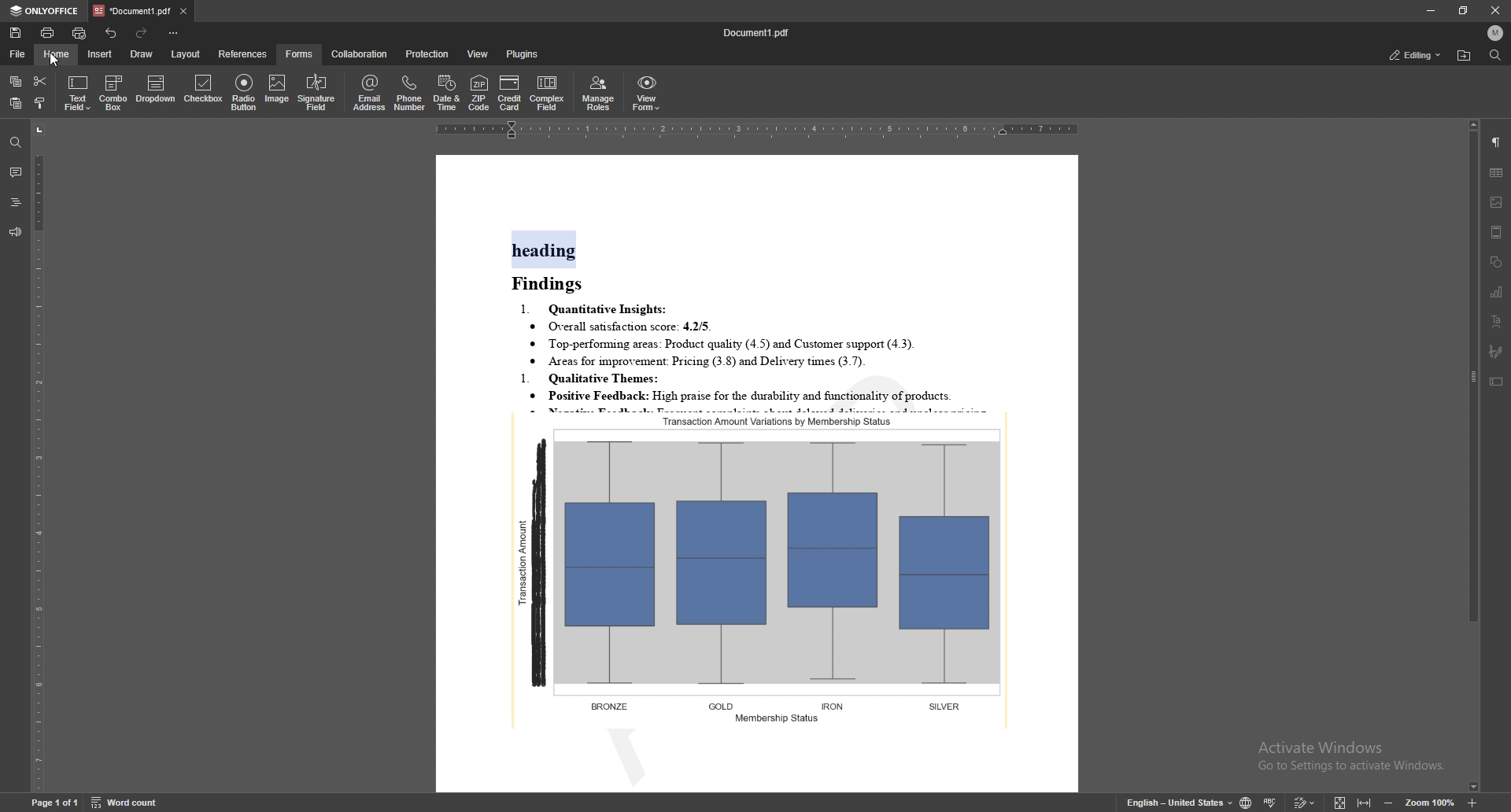  What do you see at coordinates (763, 569) in the screenshot?
I see `graph` at bounding box center [763, 569].